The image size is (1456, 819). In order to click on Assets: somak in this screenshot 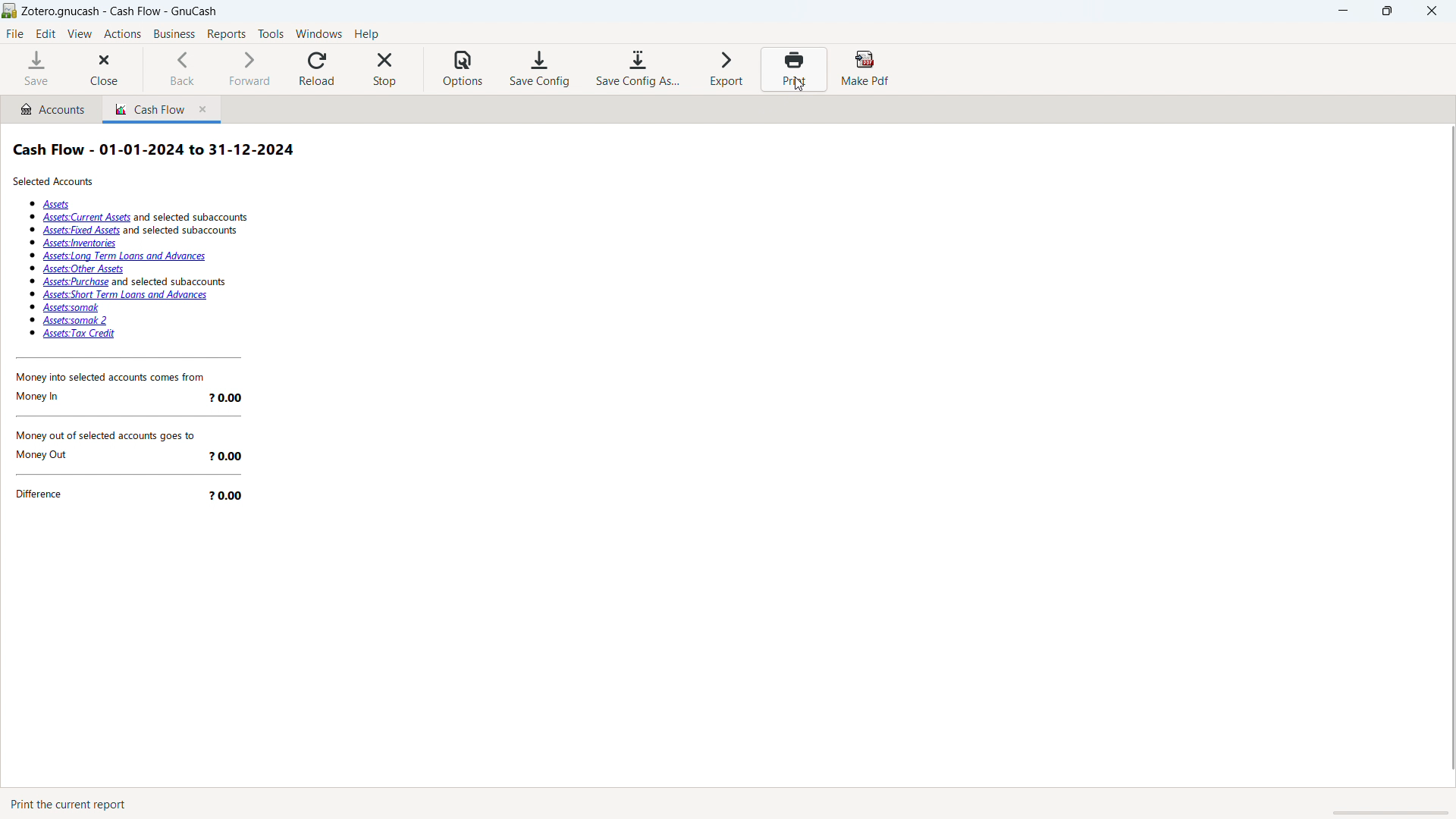, I will do `click(71, 309)`.